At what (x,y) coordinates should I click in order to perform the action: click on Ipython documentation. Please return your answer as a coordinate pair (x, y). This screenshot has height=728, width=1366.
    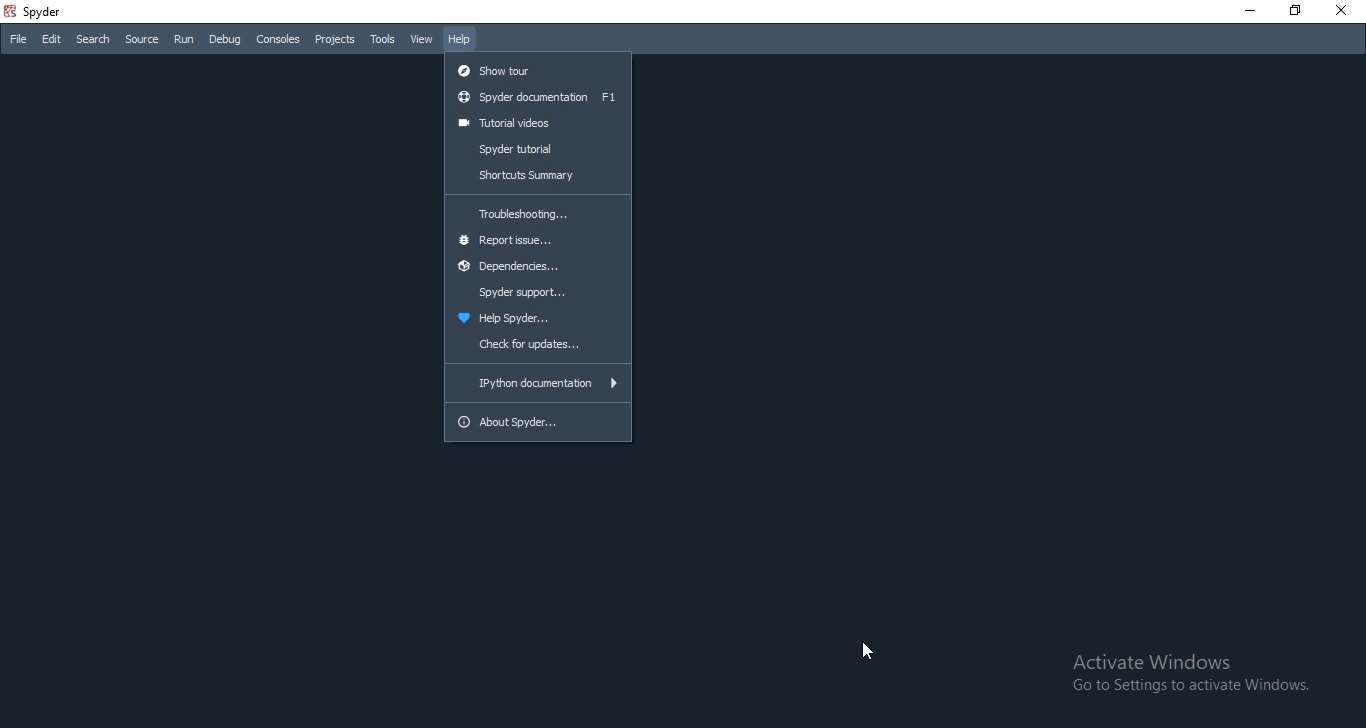
    Looking at the image, I should click on (536, 383).